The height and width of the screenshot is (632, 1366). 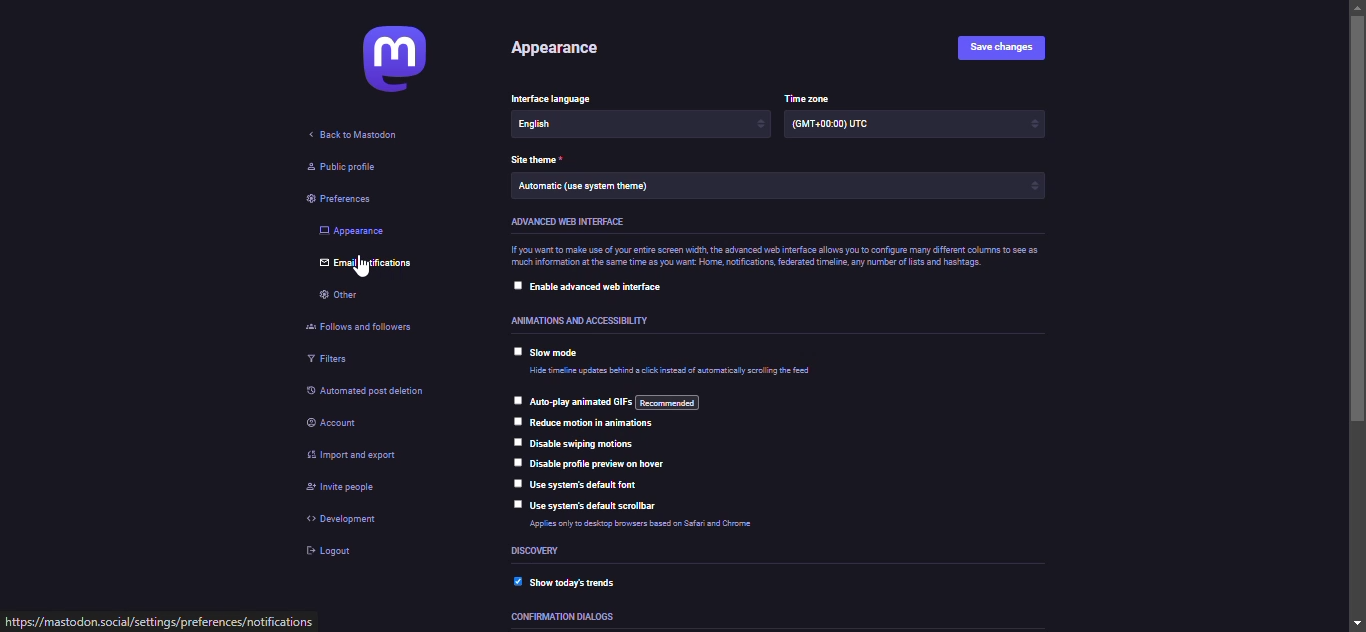 I want to click on filters, so click(x=332, y=358).